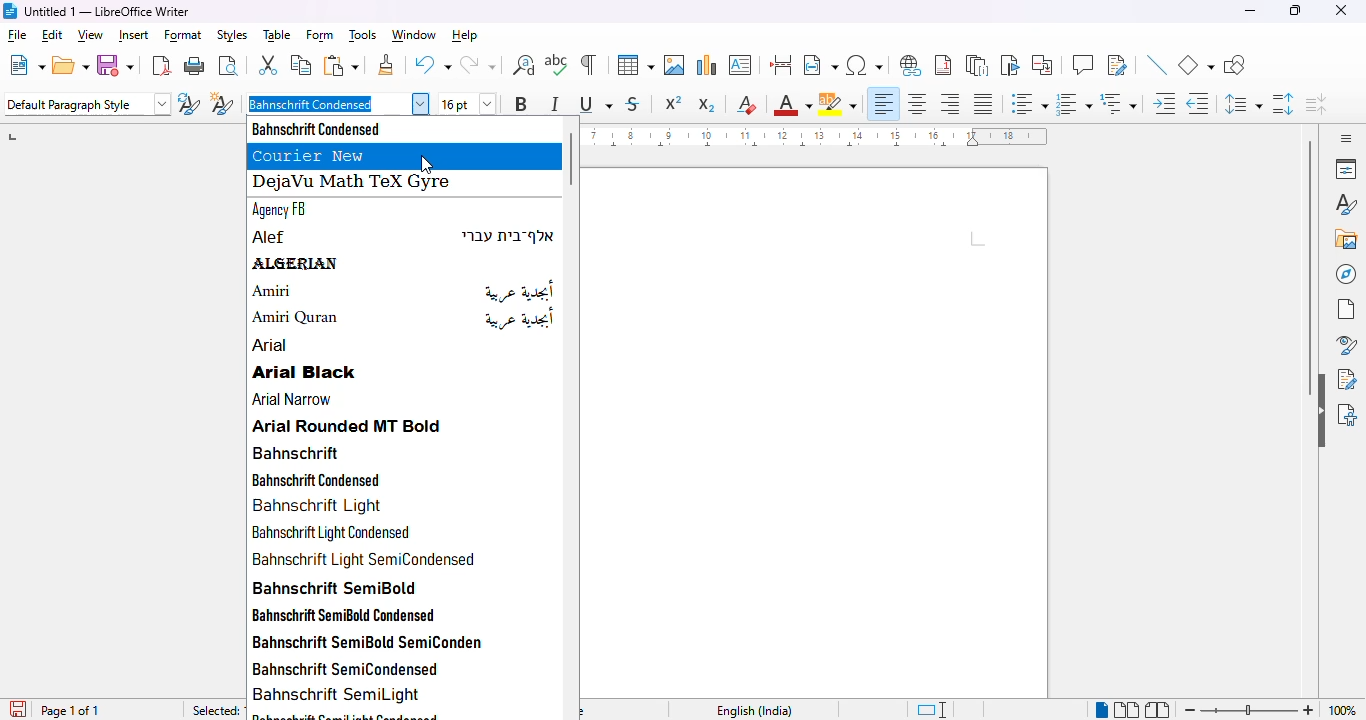  Describe the element at coordinates (675, 65) in the screenshot. I see `insert image` at that location.